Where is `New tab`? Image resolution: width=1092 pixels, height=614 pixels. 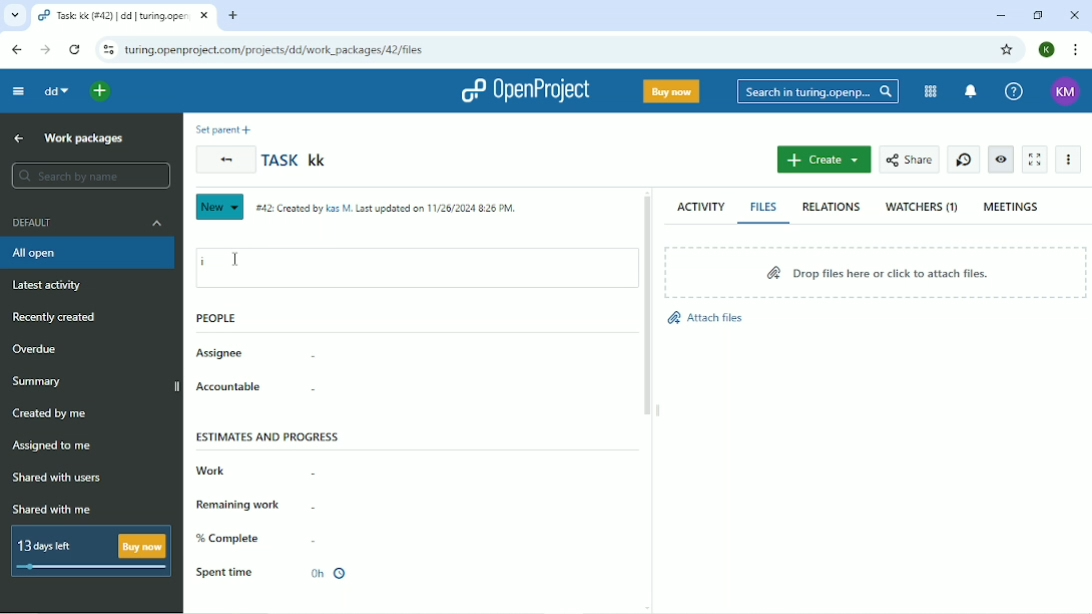 New tab is located at coordinates (234, 15).